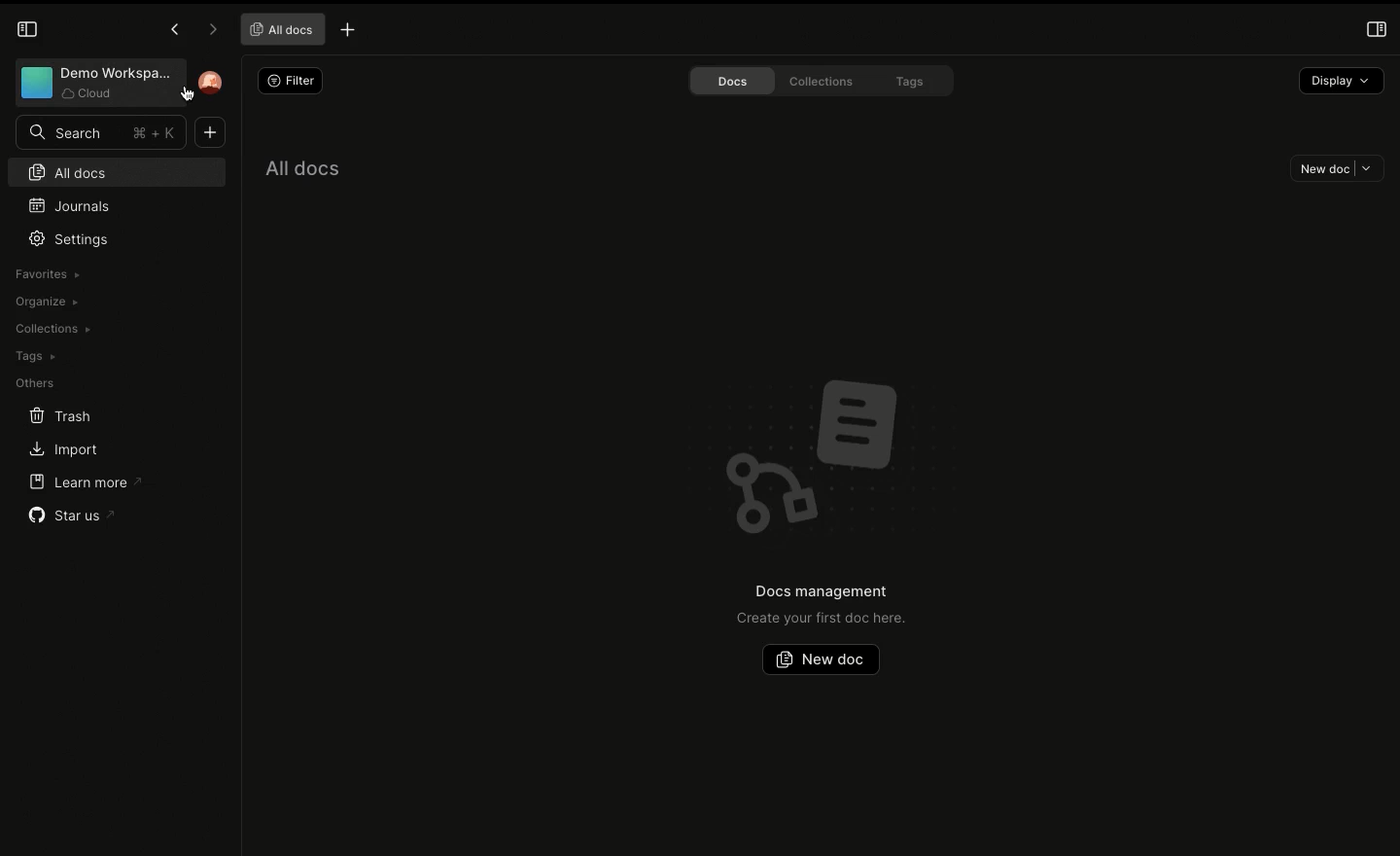 Image resolution: width=1400 pixels, height=856 pixels. I want to click on Docs, so click(732, 80).